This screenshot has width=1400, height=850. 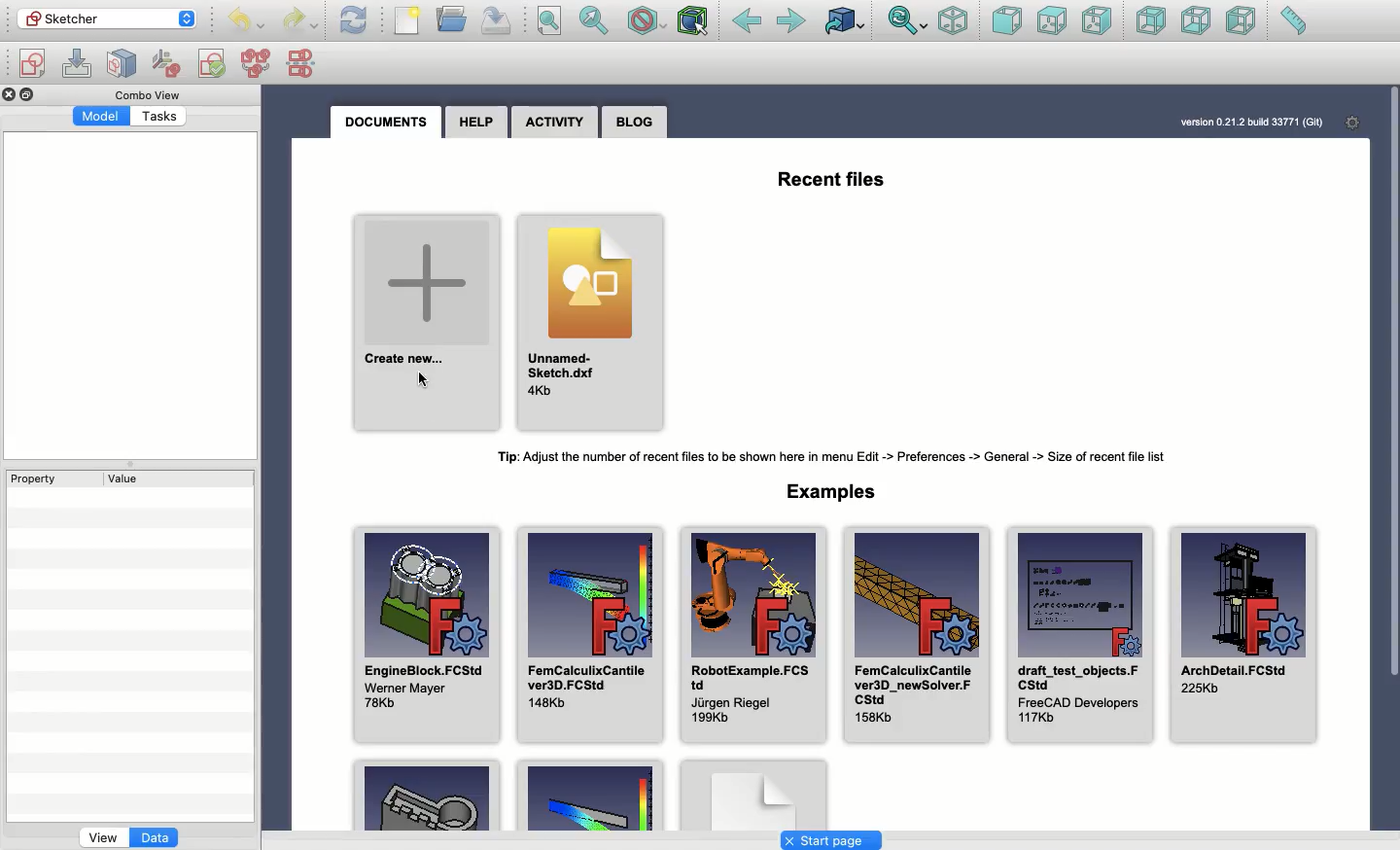 I want to click on New, so click(x=407, y=19).